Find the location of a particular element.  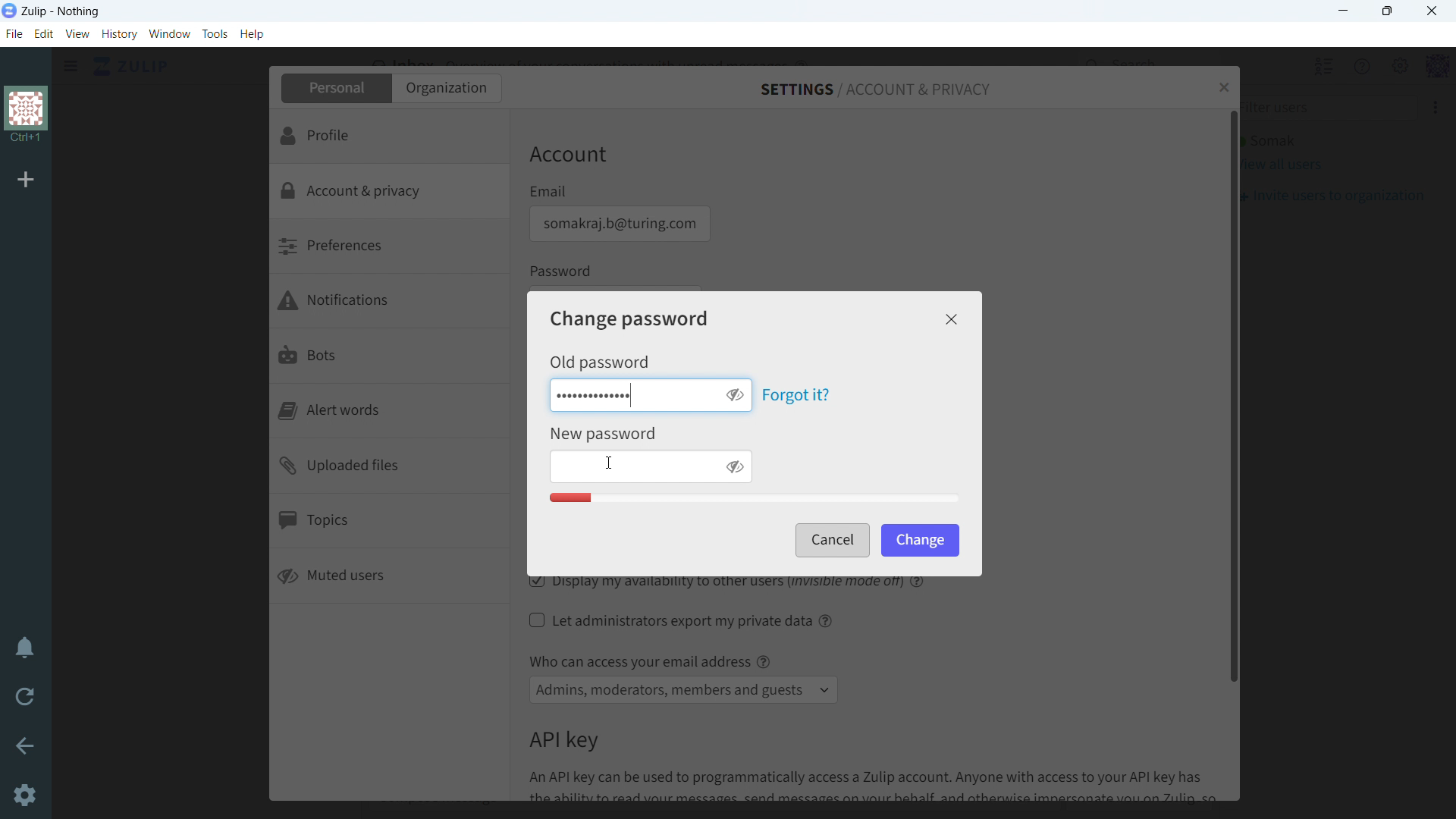

click to see sidebar menu is located at coordinates (71, 66).